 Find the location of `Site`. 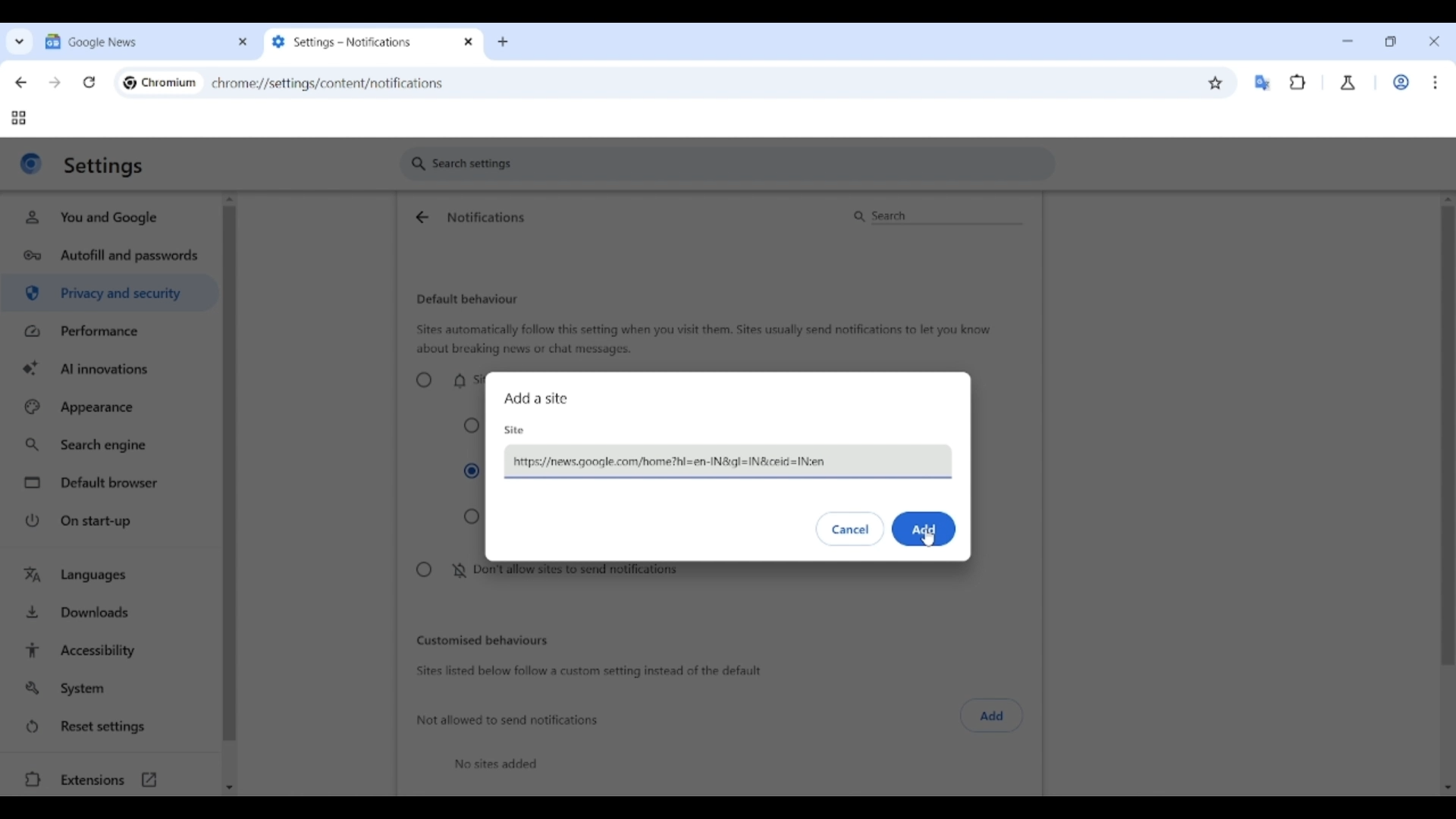

Site is located at coordinates (515, 430).